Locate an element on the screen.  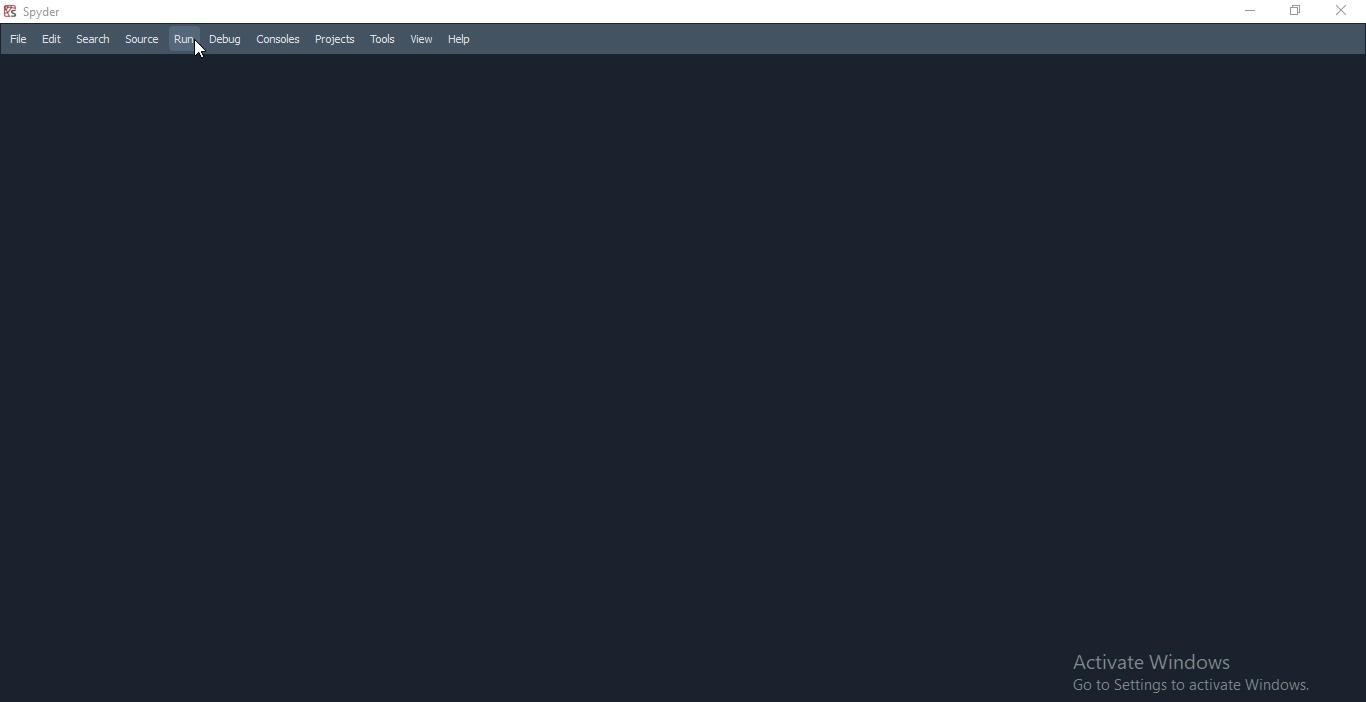
spyder is located at coordinates (50, 10).